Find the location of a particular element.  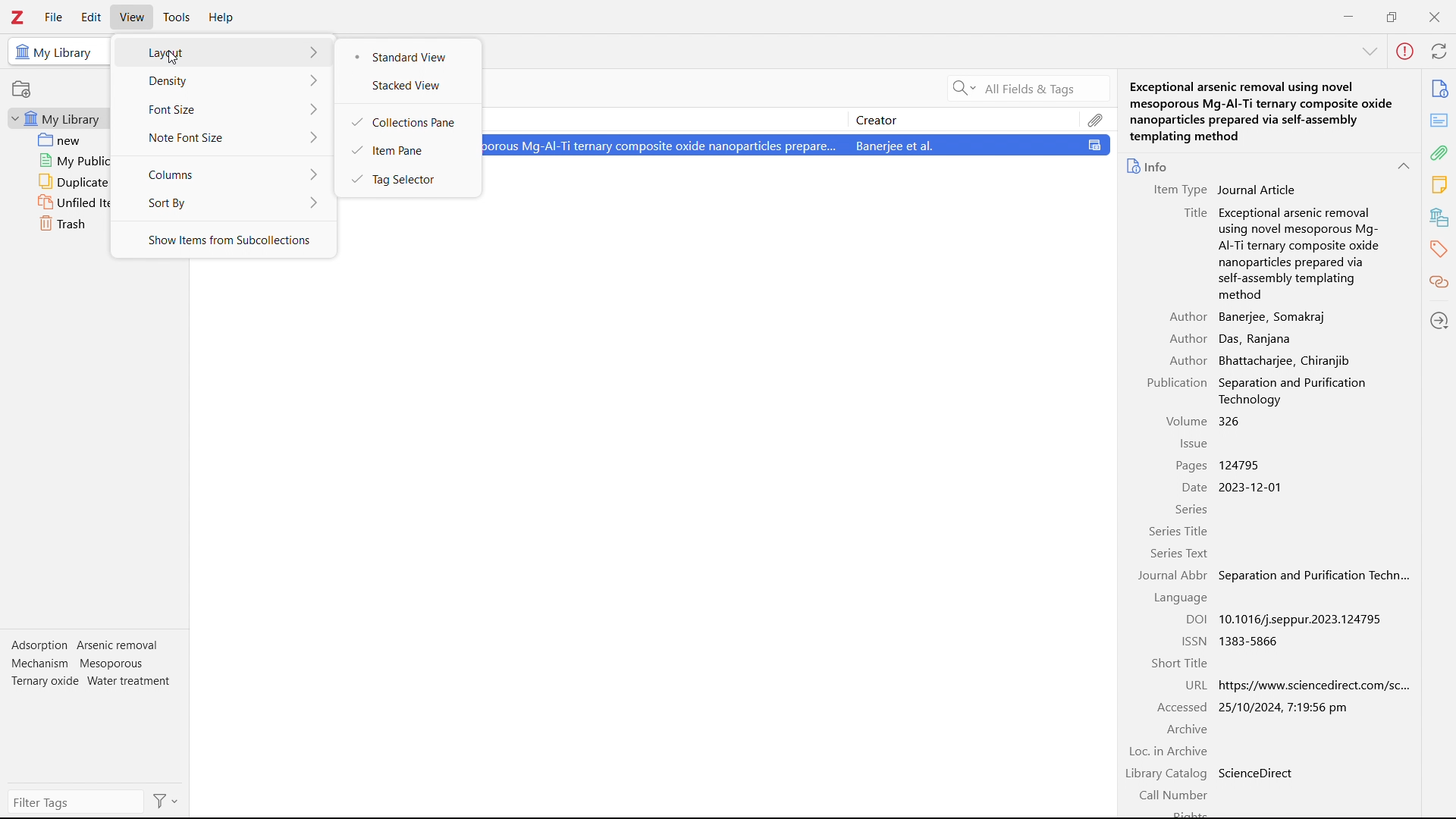

file is located at coordinates (54, 17).